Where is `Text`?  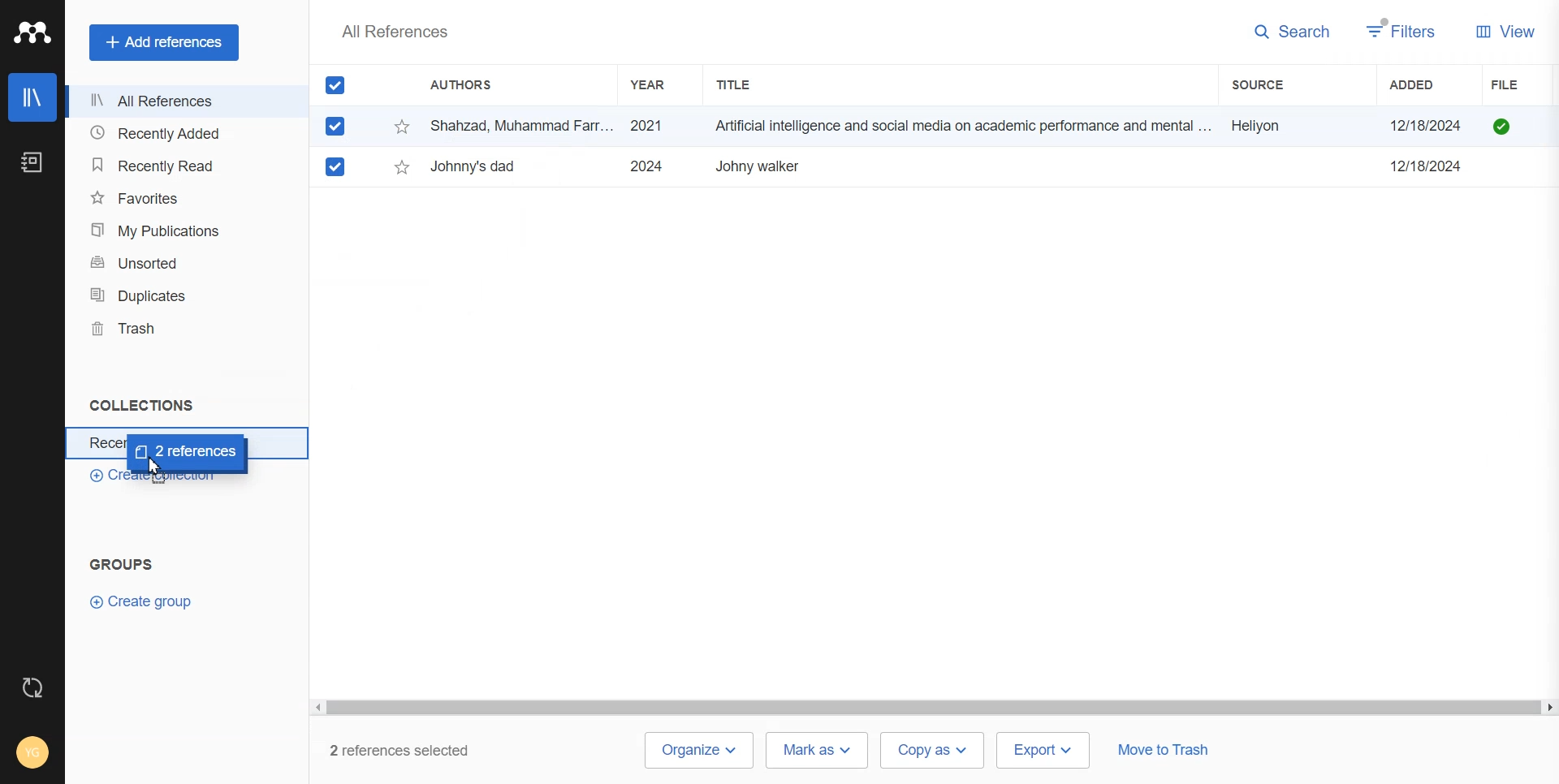
Text is located at coordinates (394, 31).